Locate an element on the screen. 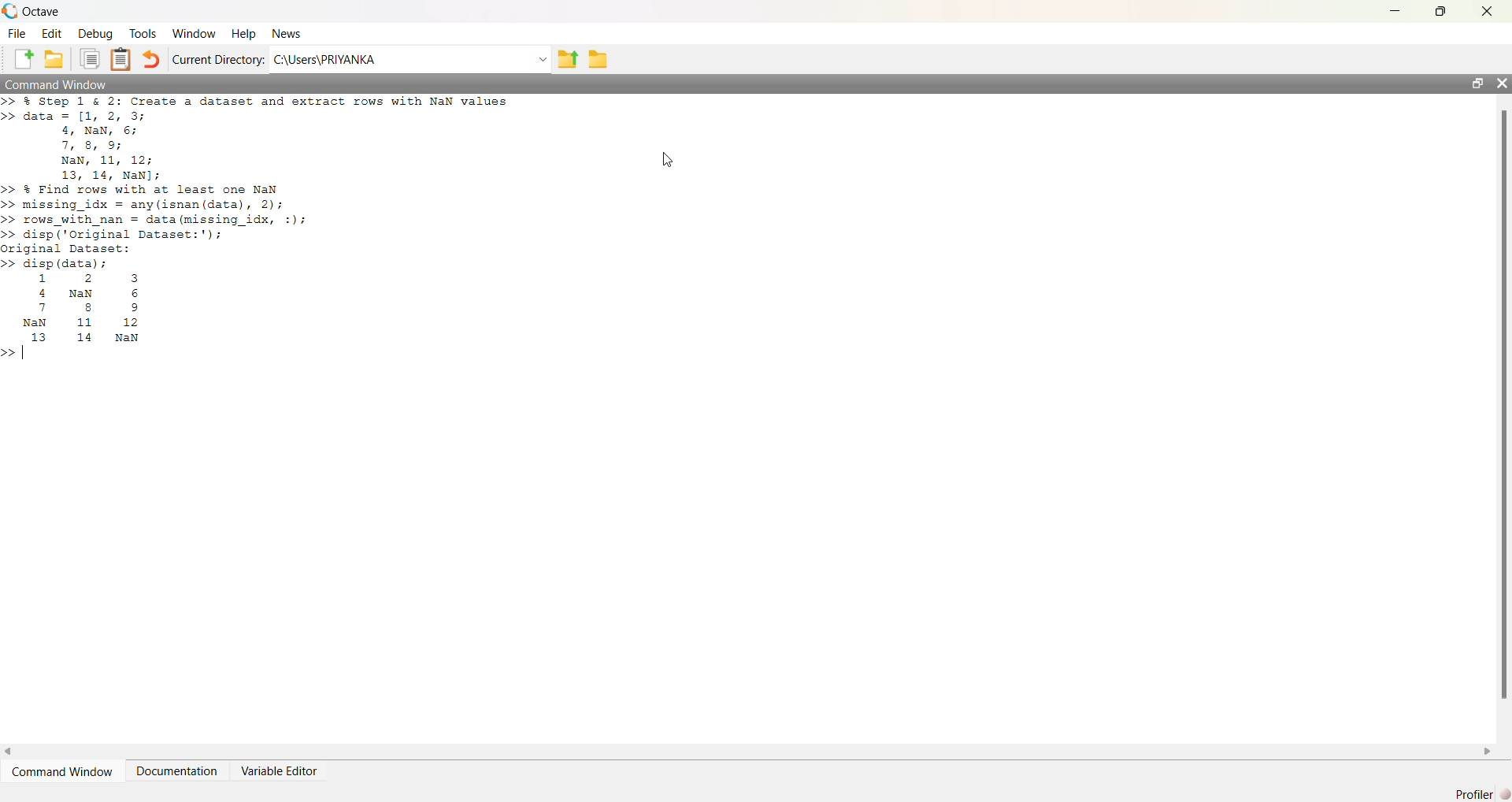 The height and width of the screenshot is (802, 1512). Current Directory: is located at coordinates (219, 59).